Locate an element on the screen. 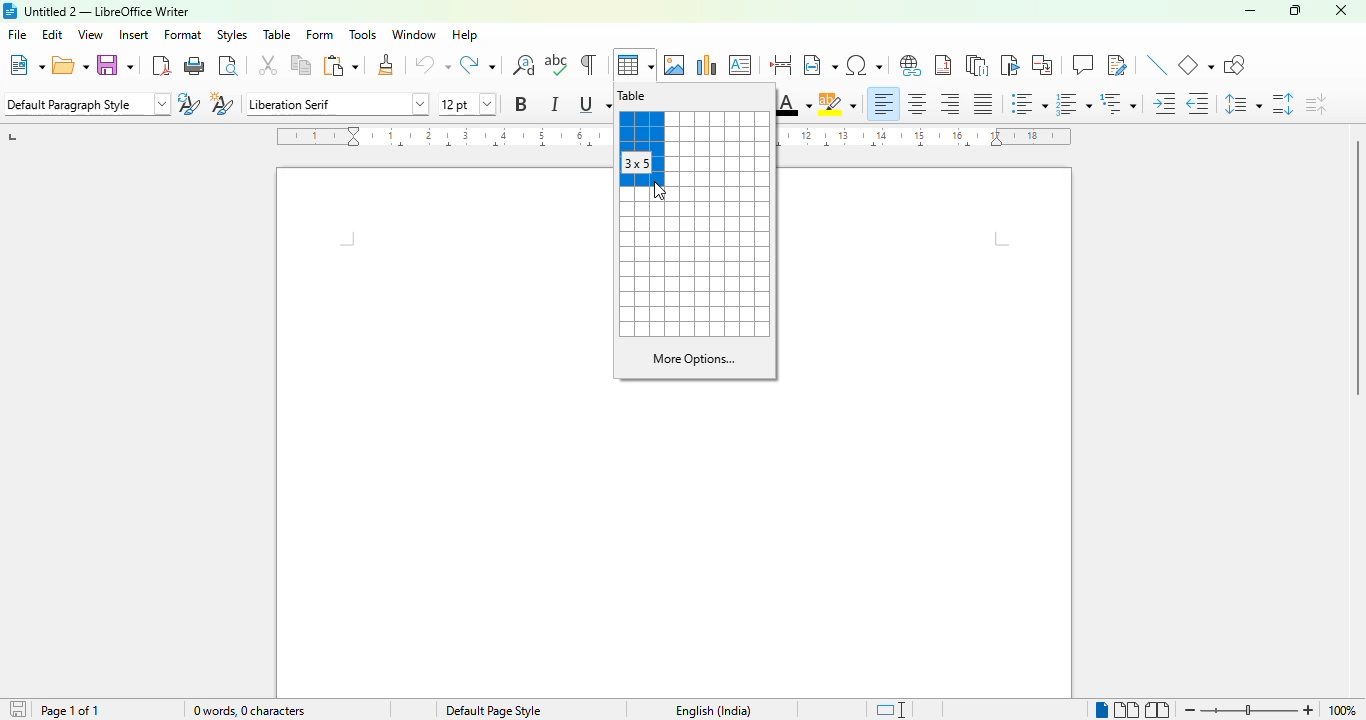 This screenshot has width=1366, height=720. zoom out is located at coordinates (1191, 710).